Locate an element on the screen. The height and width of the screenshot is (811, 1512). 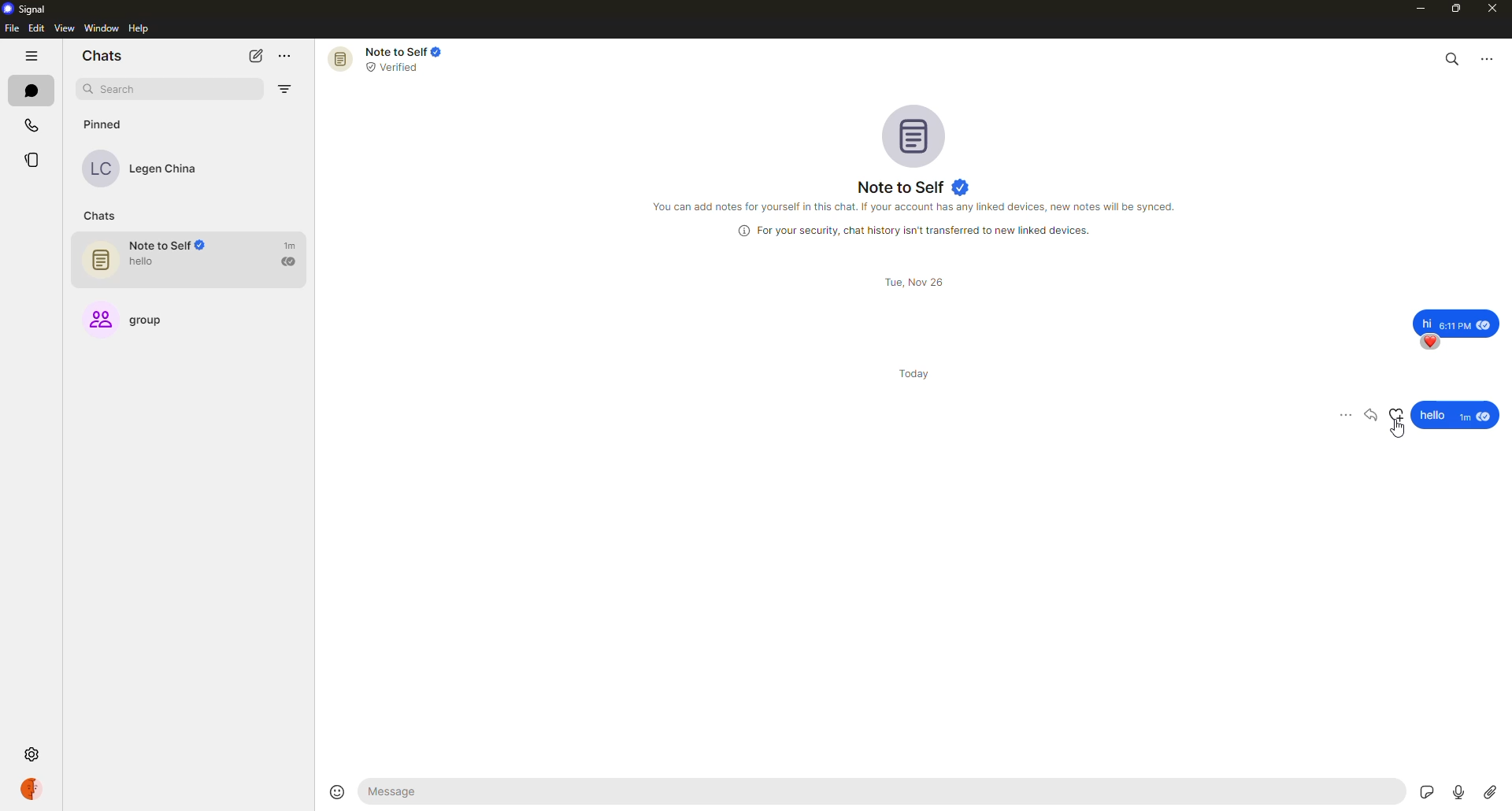
emoji is located at coordinates (338, 791).